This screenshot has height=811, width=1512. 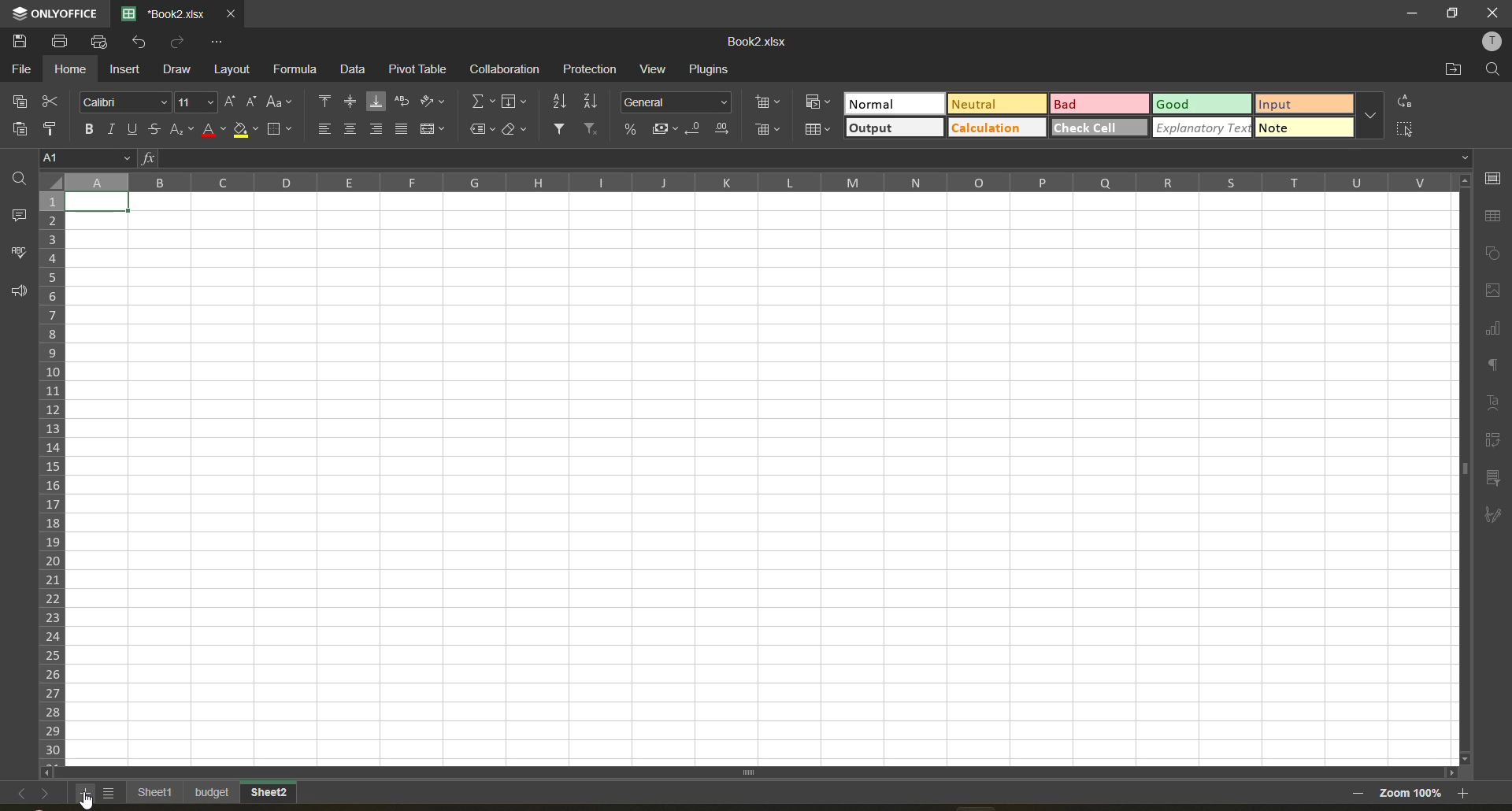 I want to click on zoom factor, so click(x=1408, y=794).